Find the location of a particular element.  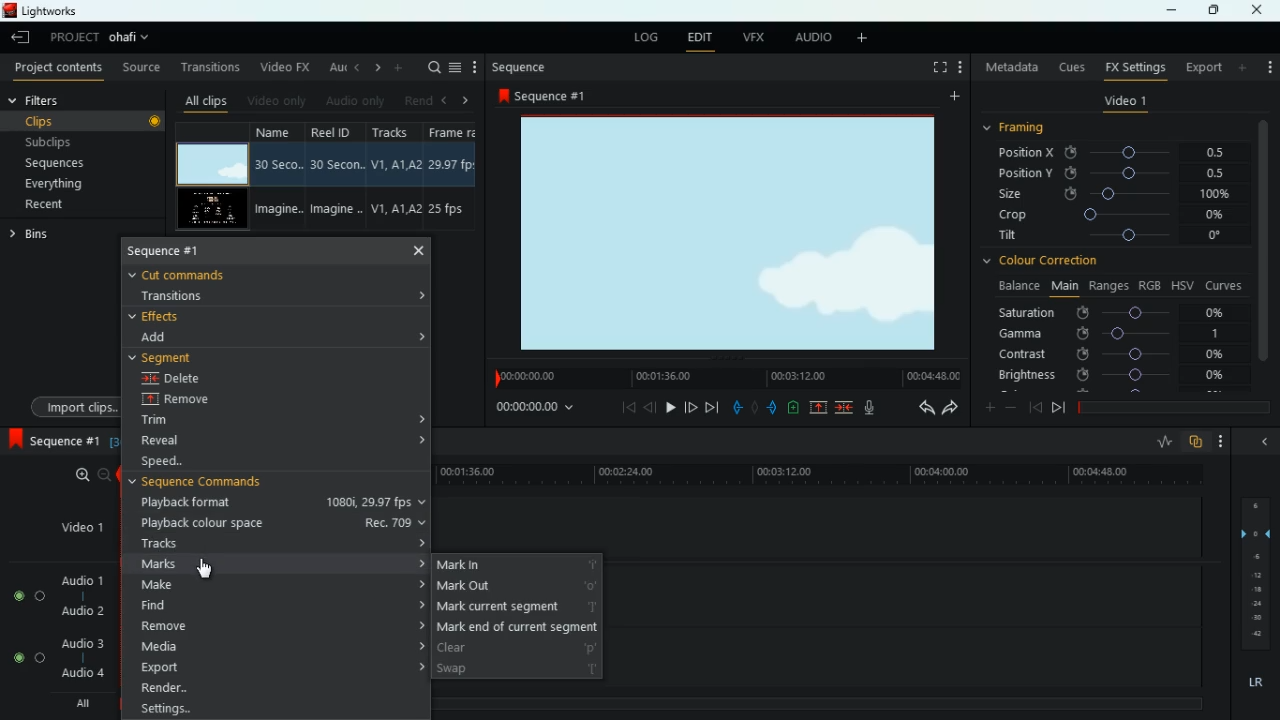

media is located at coordinates (286, 648).